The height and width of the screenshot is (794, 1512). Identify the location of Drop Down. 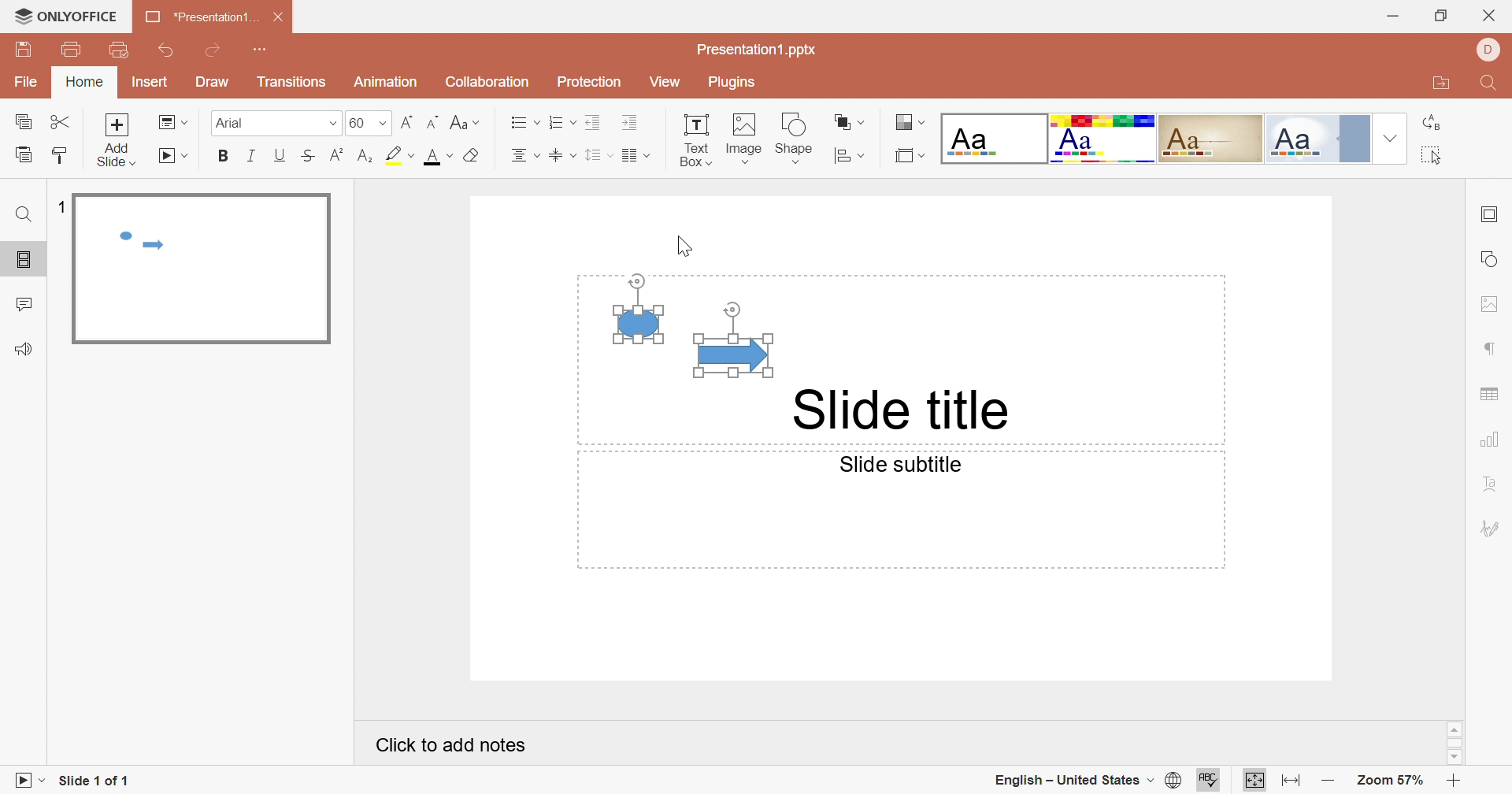
(1388, 137).